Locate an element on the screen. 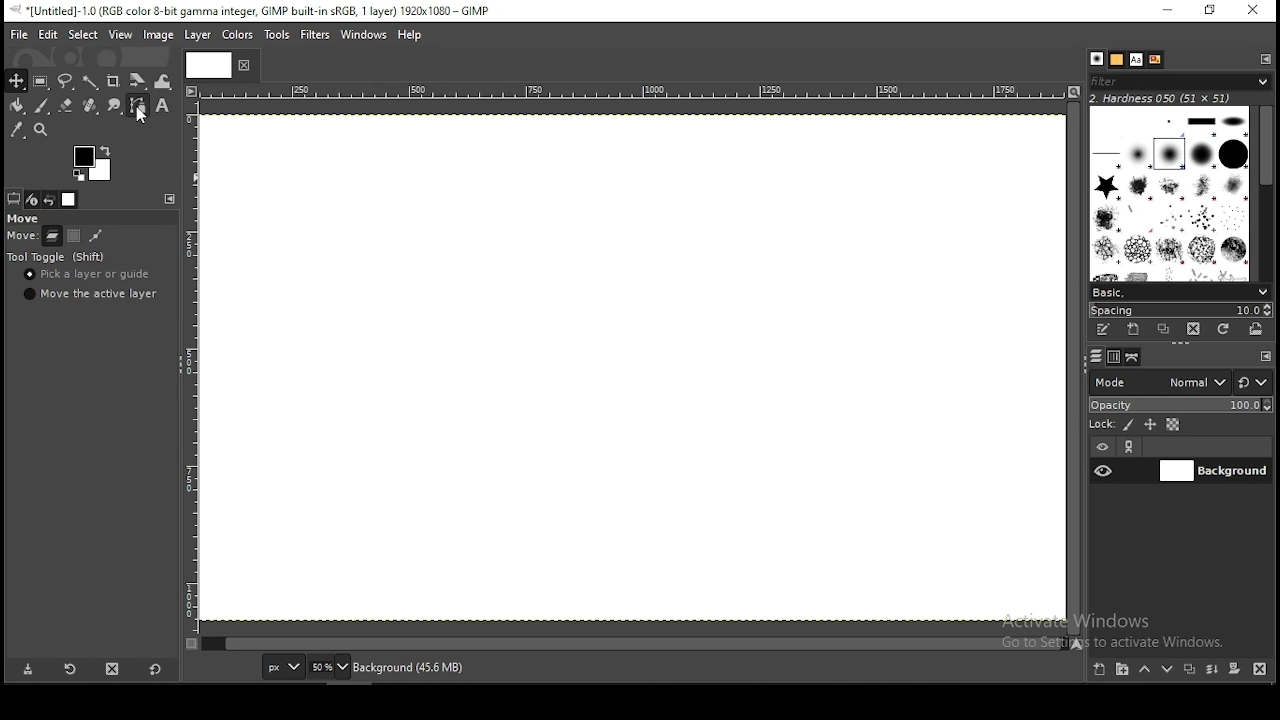 The height and width of the screenshot is (720, 1280). paths is located at coordinates (1133, 357).